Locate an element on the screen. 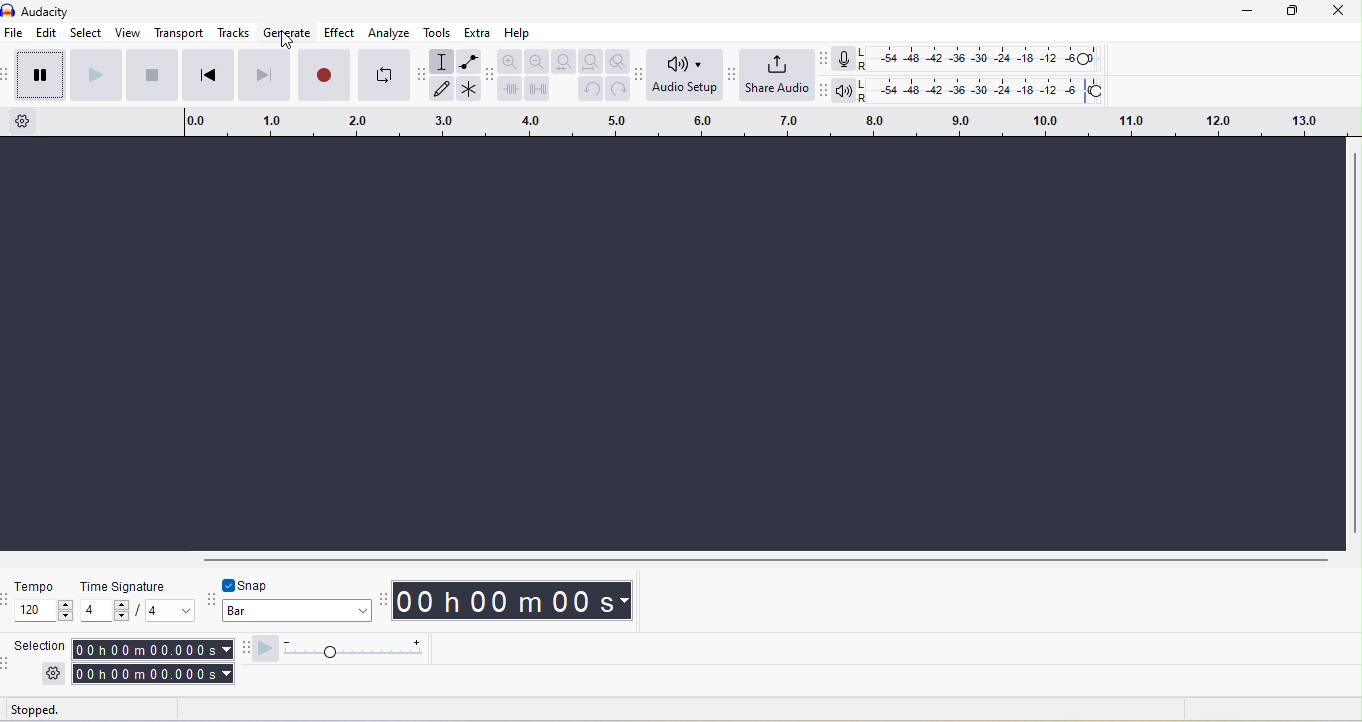 This screenshot has width=1362, height=722. silence audio selection is located at coordinates (538, 88).